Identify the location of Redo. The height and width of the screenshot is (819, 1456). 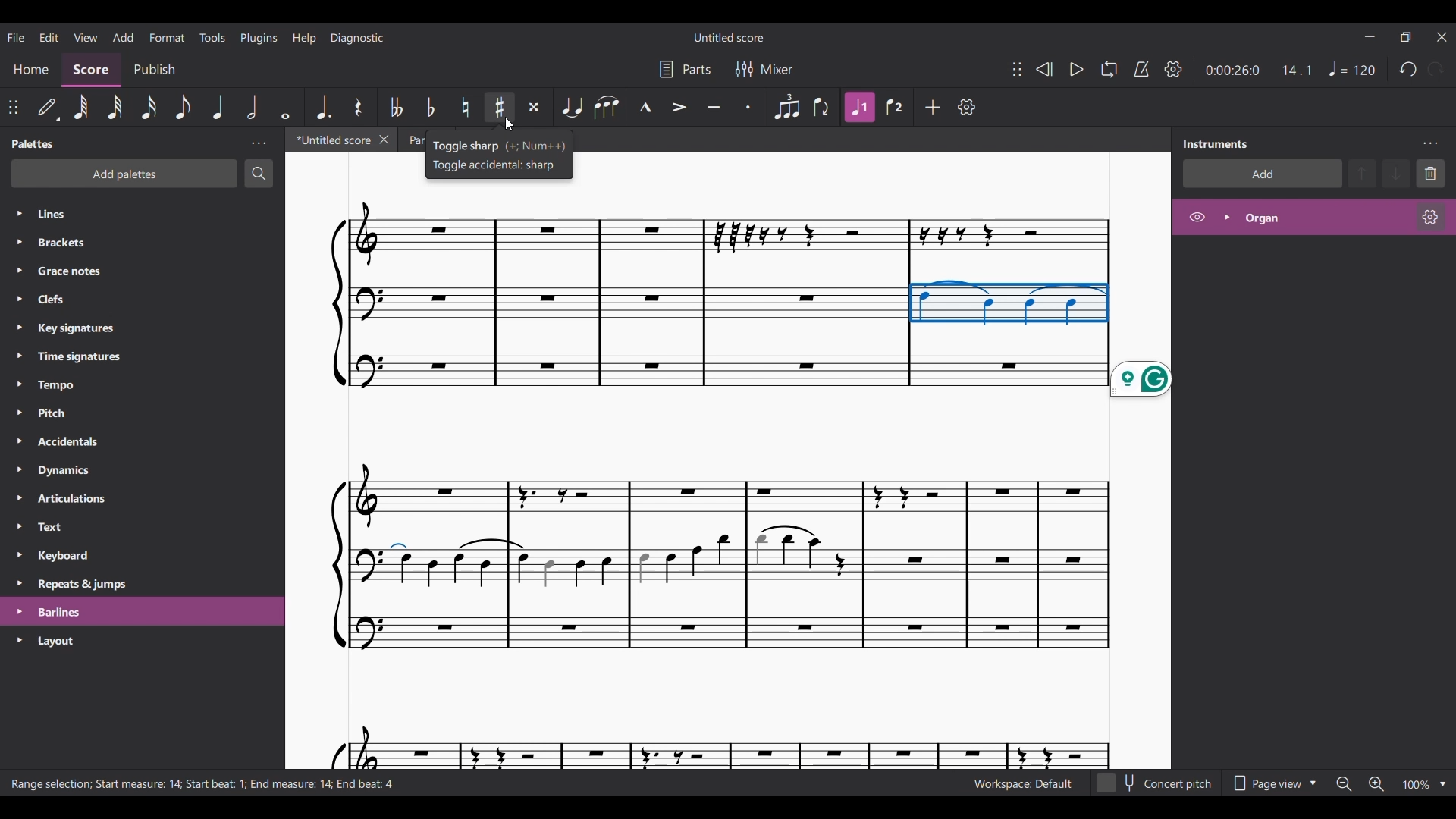
(1436, 69).